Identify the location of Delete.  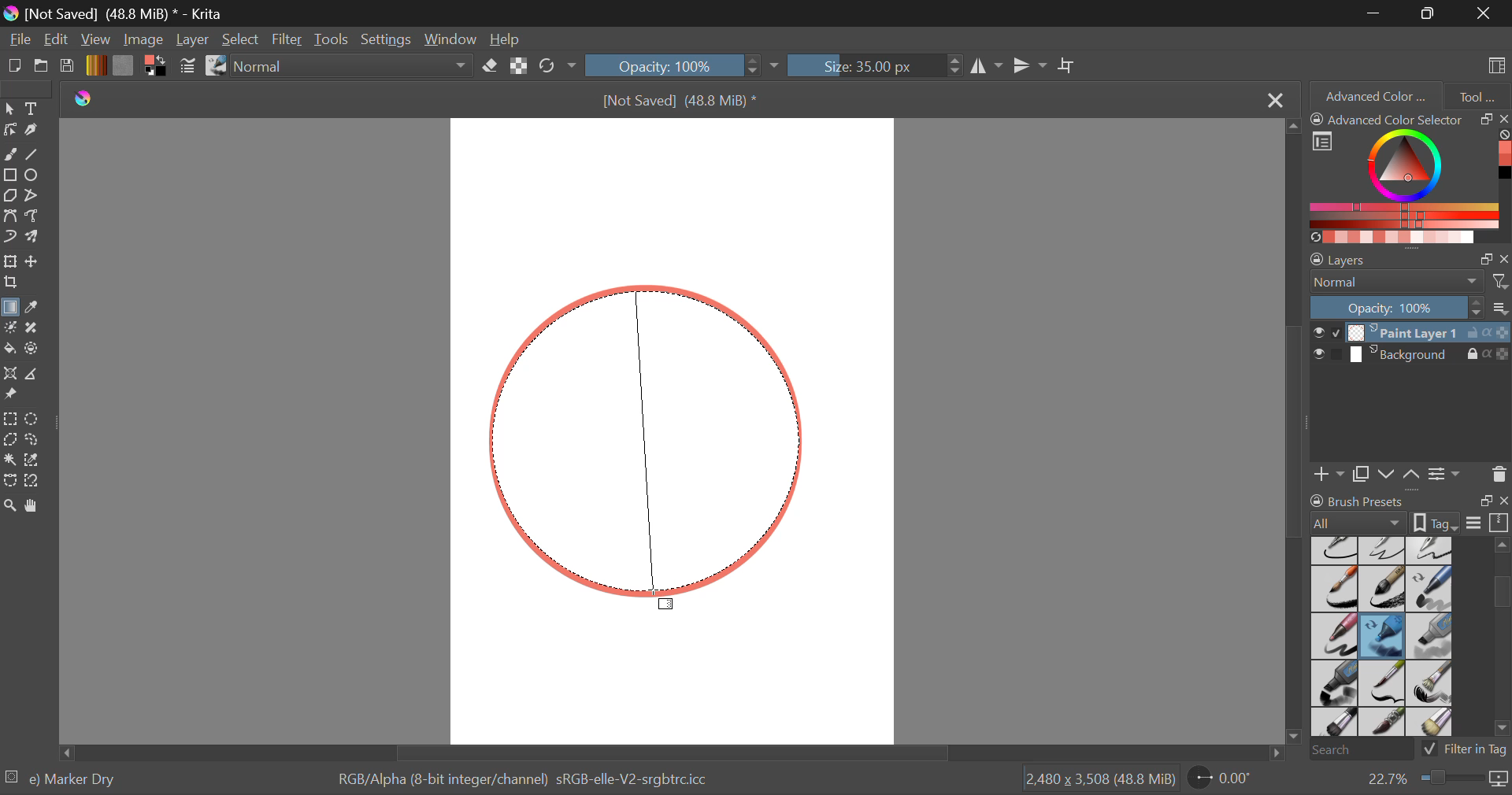
(1499, 474).